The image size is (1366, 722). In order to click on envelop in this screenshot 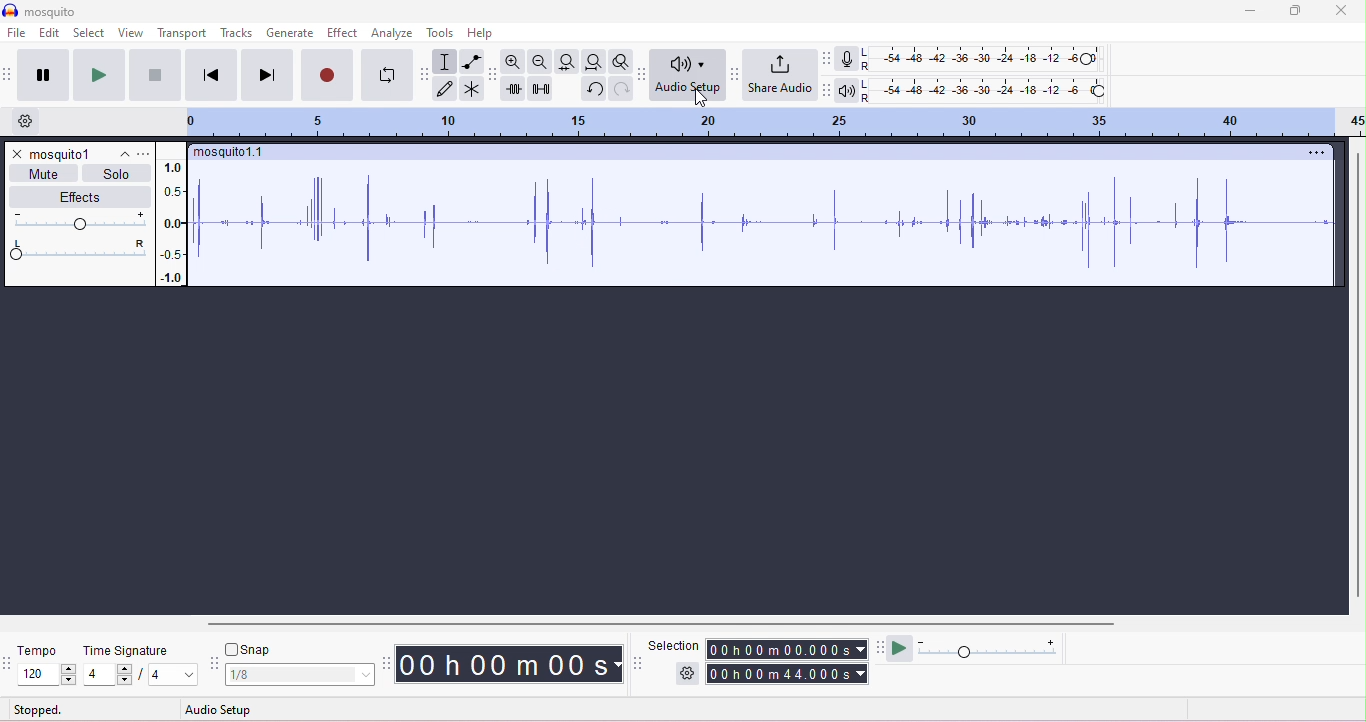, I will do `click(472, 61)`.